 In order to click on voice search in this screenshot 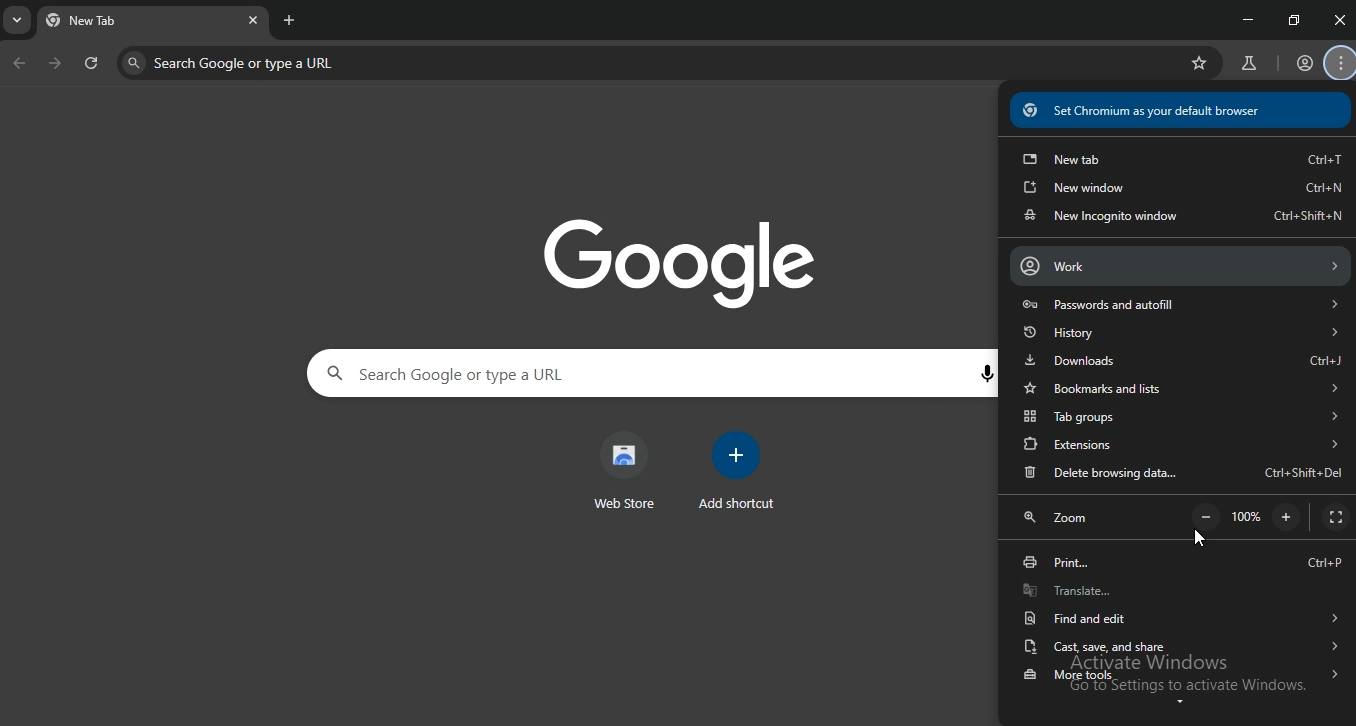, I will do `click(989, 375)`.